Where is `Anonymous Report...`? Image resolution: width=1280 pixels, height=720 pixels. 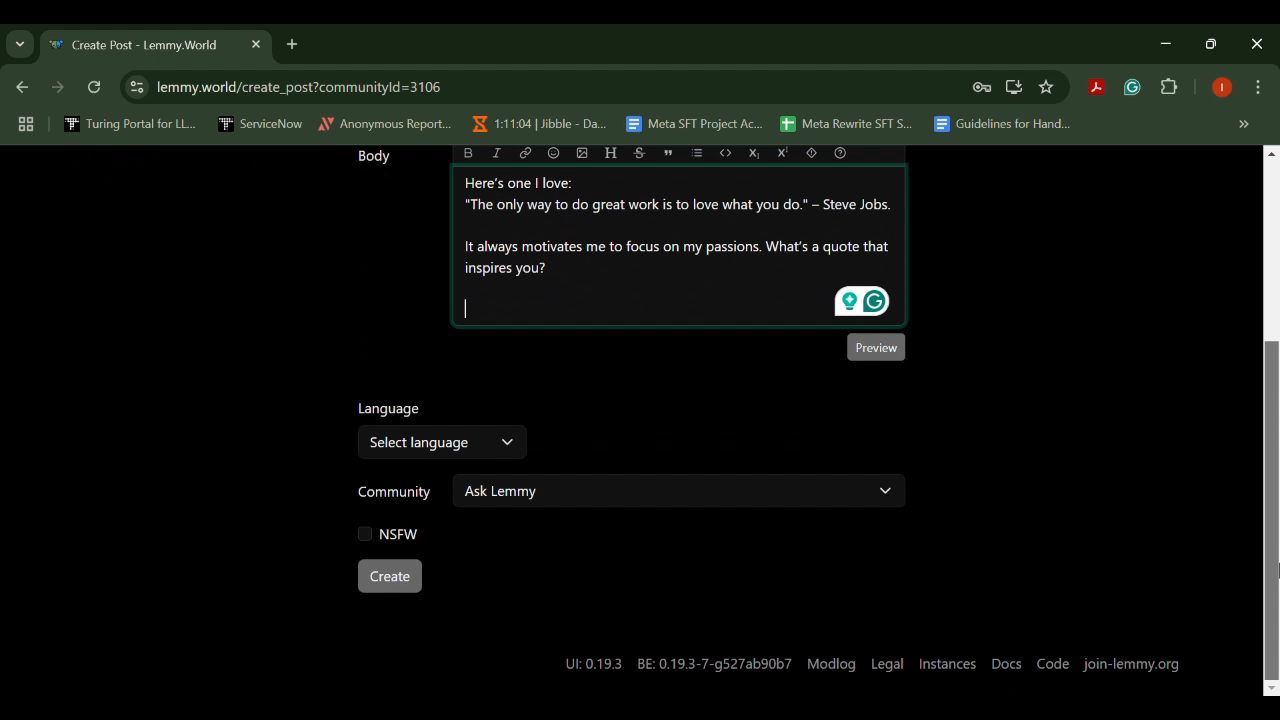
Anonymous Report... is located at coordinates (386, 123).